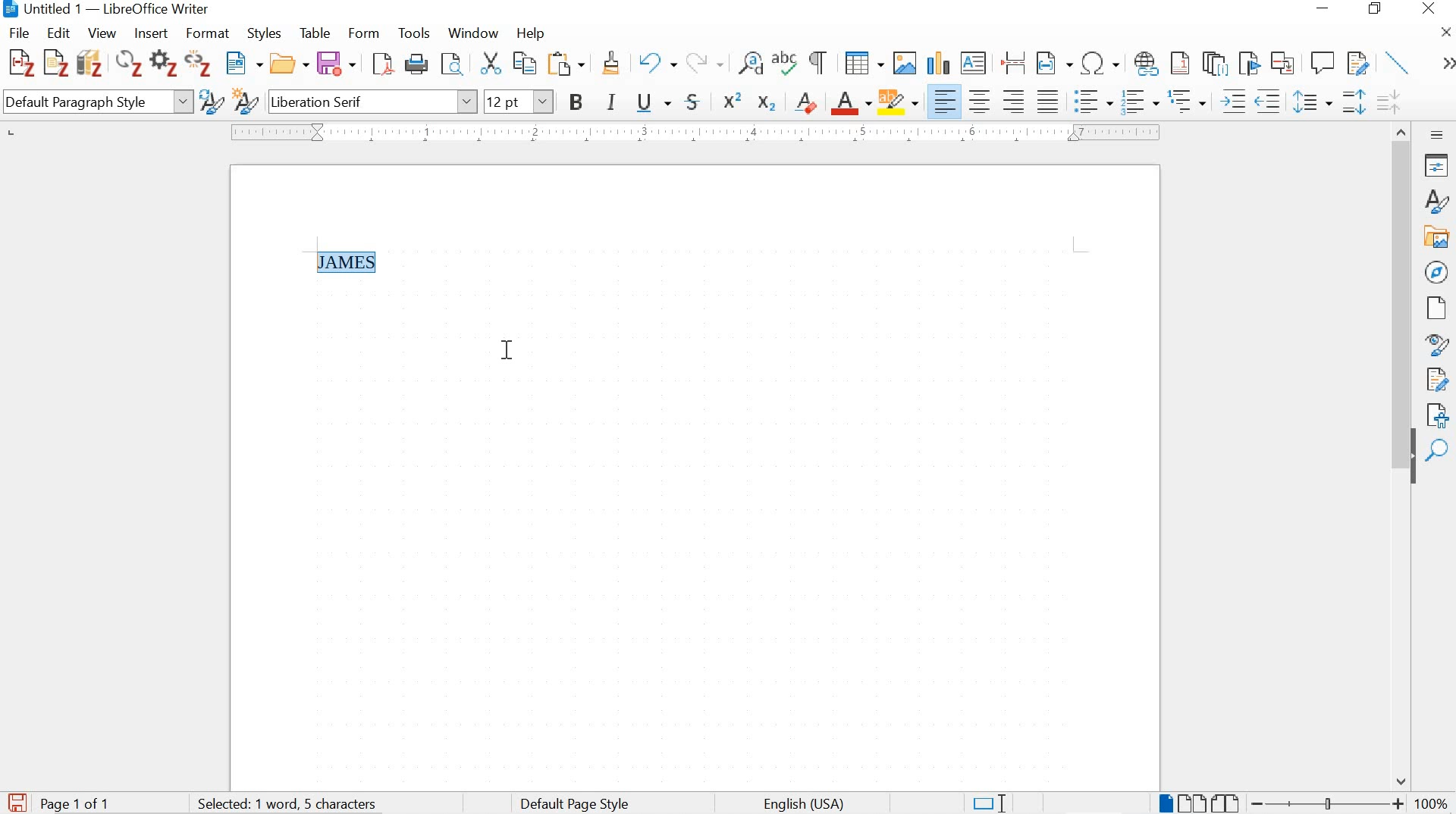 The height and width of the screenshot is (814, 1456). I want to click on book view, so click(1227, 803).